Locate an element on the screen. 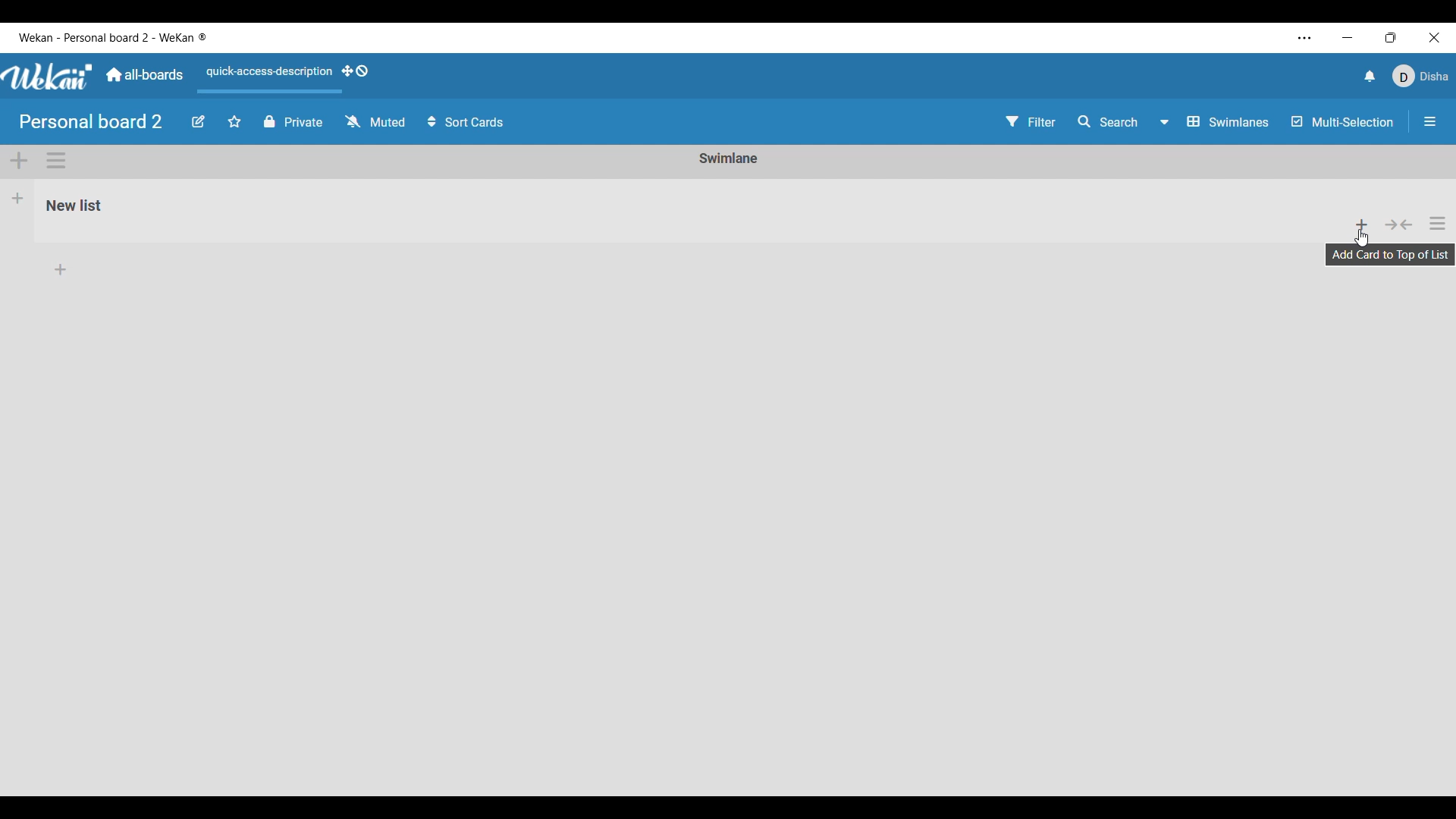 The width and height of the screenshot is (1456, 819). Boardview options is located at coordinates (1216, 122).